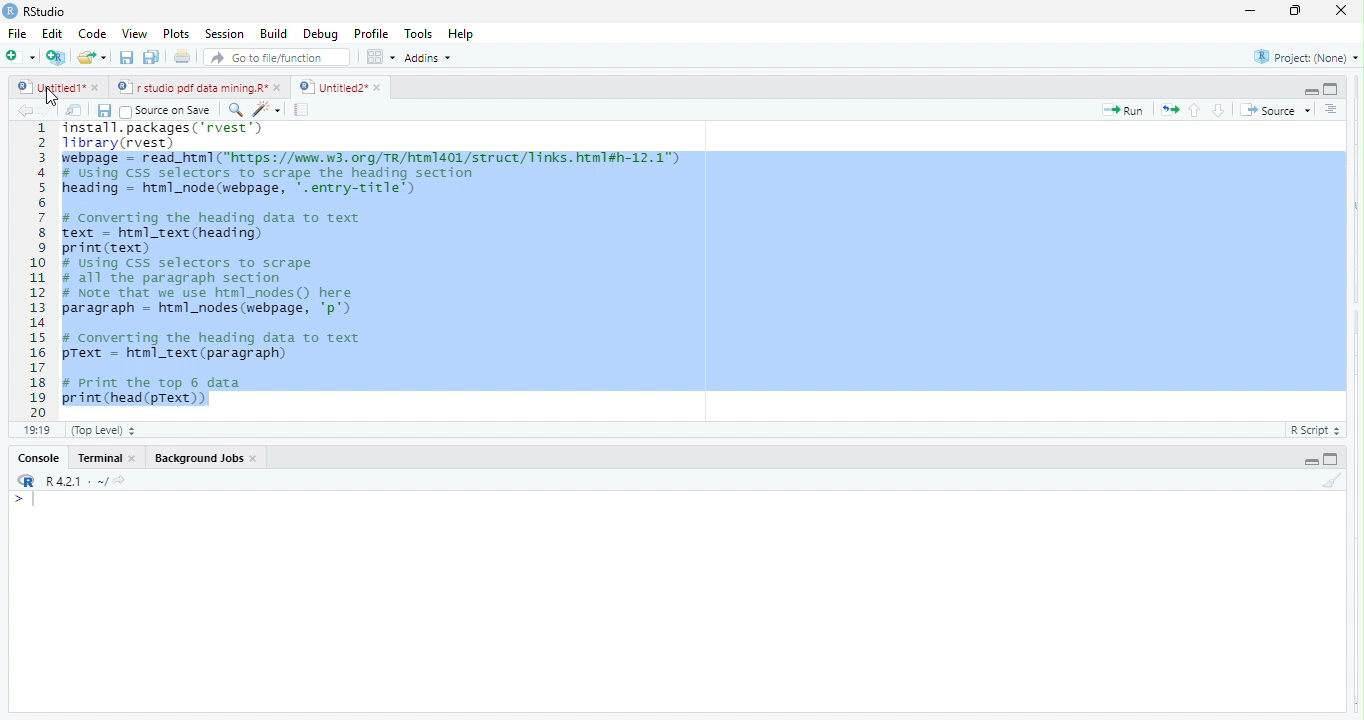 Image resolution: width=1364 pixels, height=720 pixels. I want to click on hide r script, so click(1309, 89).